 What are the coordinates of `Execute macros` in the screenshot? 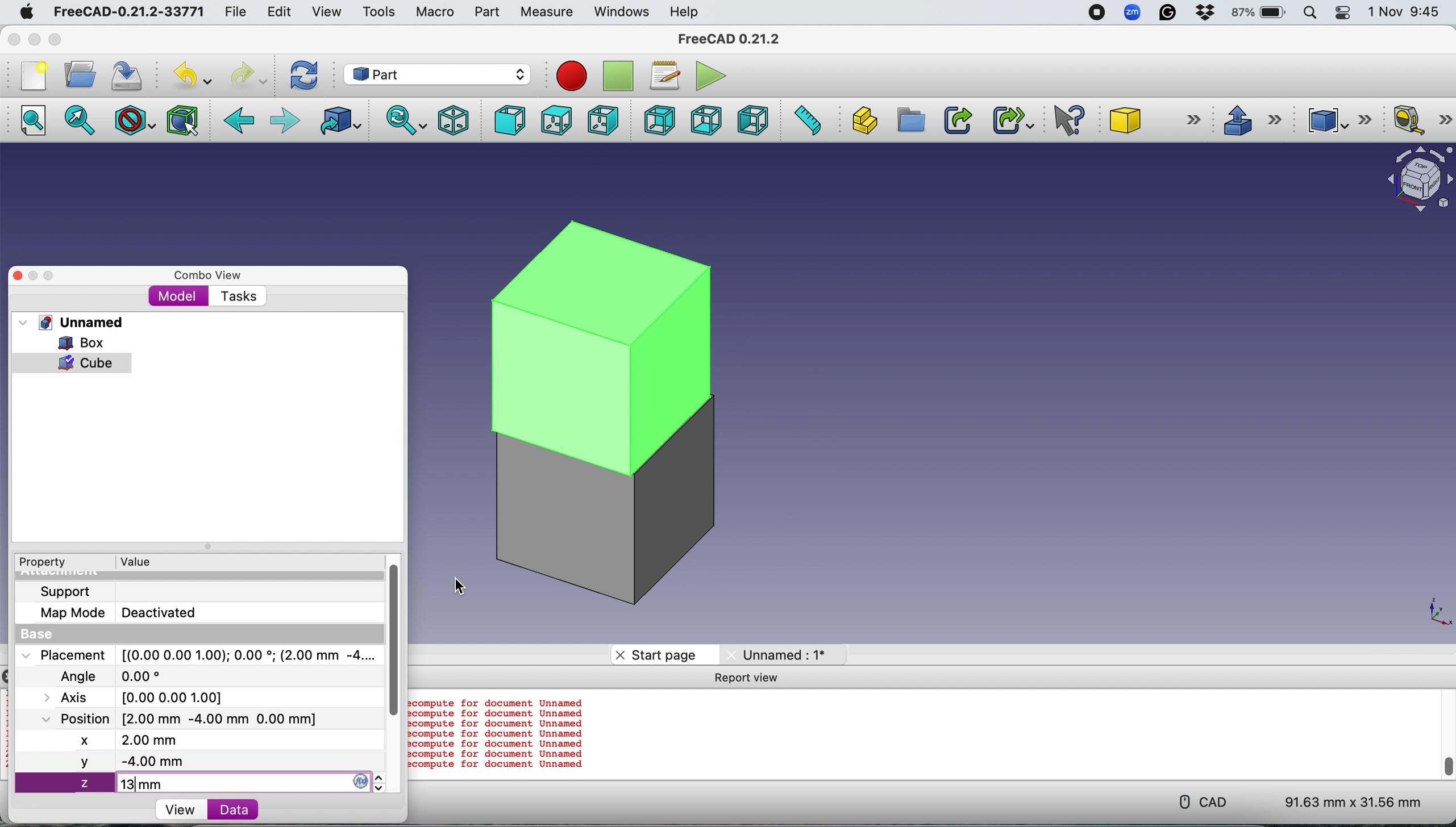 It's located at (714, 74).